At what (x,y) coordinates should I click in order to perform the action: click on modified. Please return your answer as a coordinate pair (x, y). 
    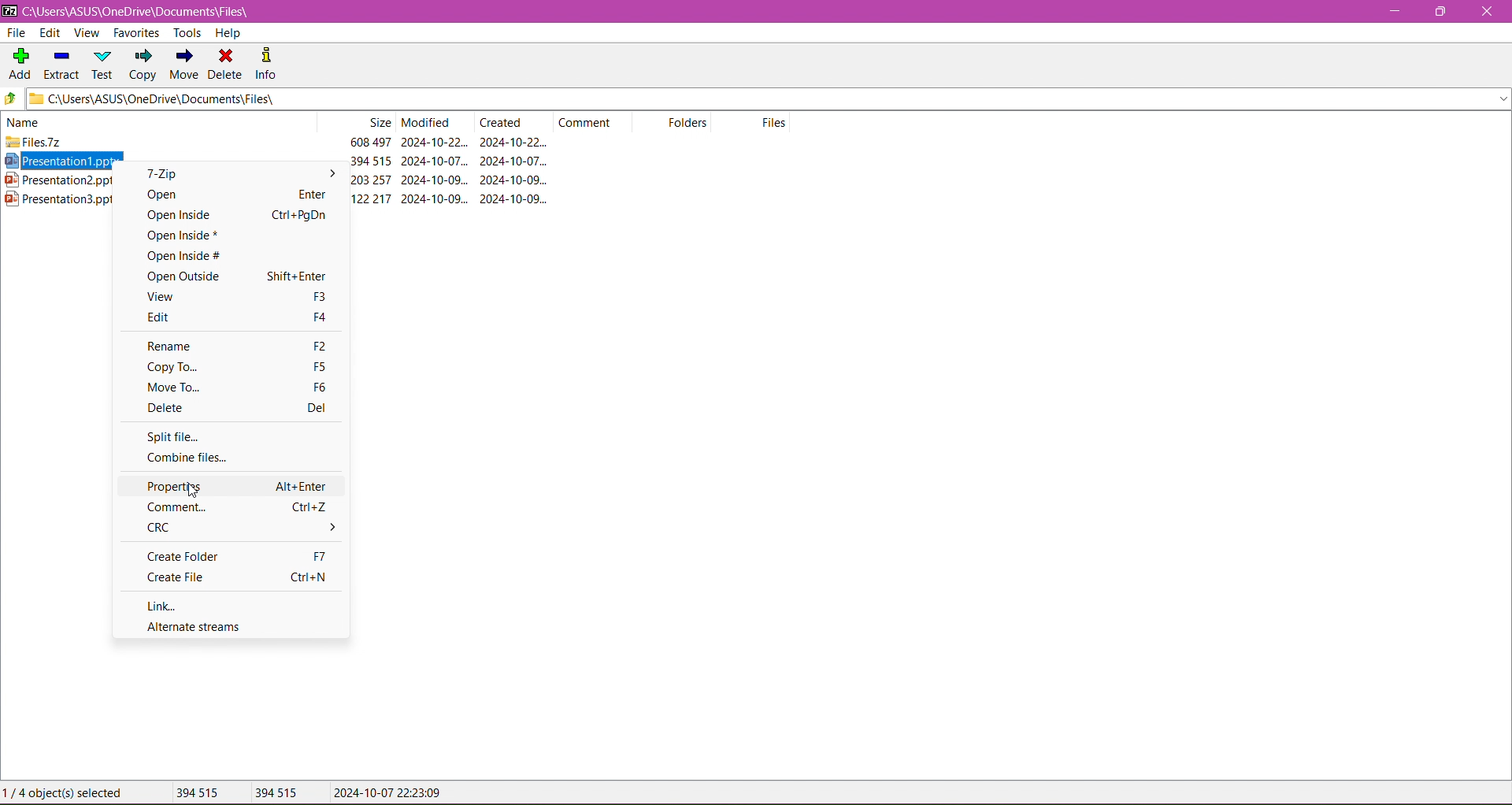
    Looking at the image, I should click on (427, 122).